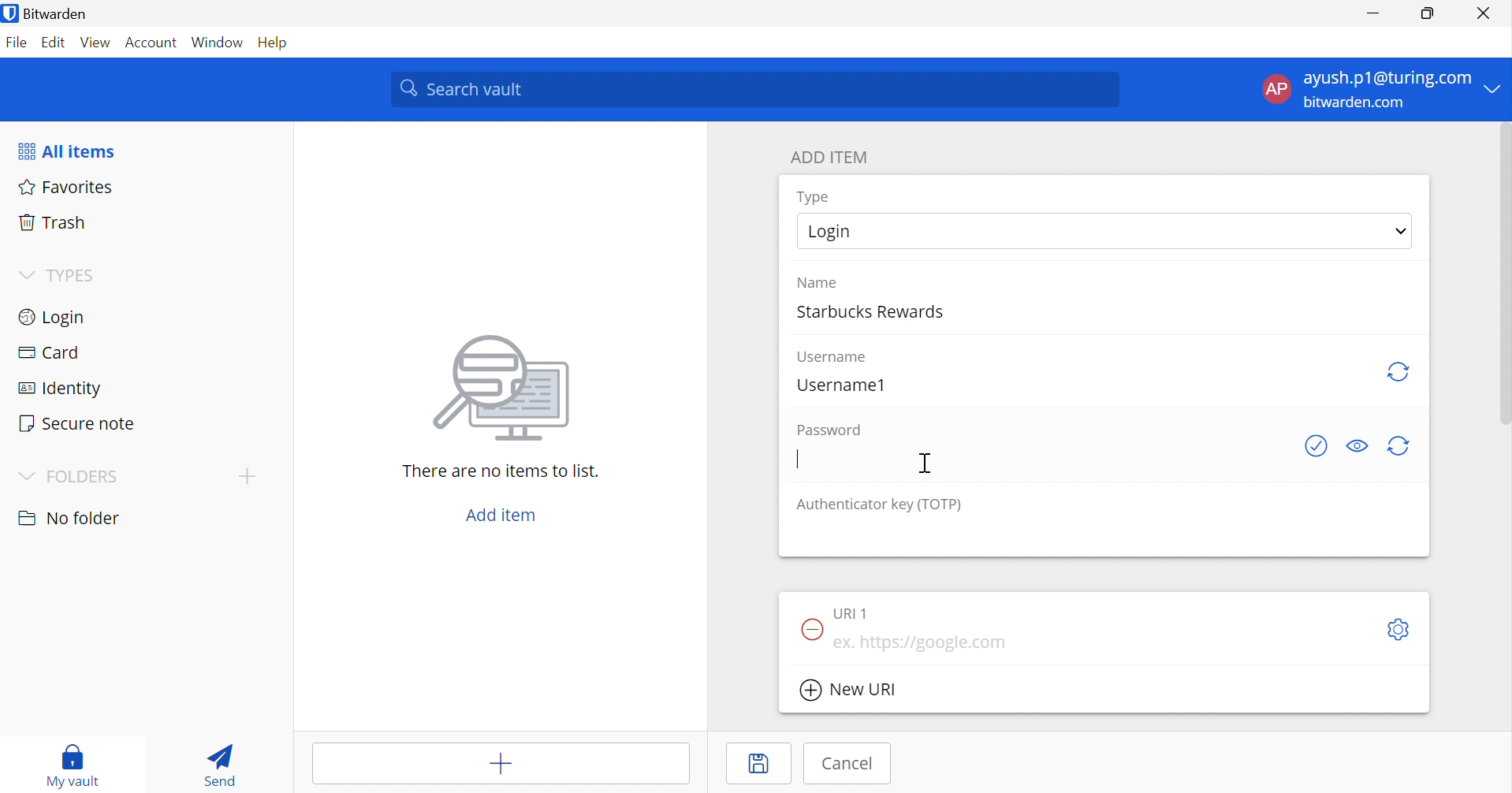  I want to click on Cursor, so click(925, 464).